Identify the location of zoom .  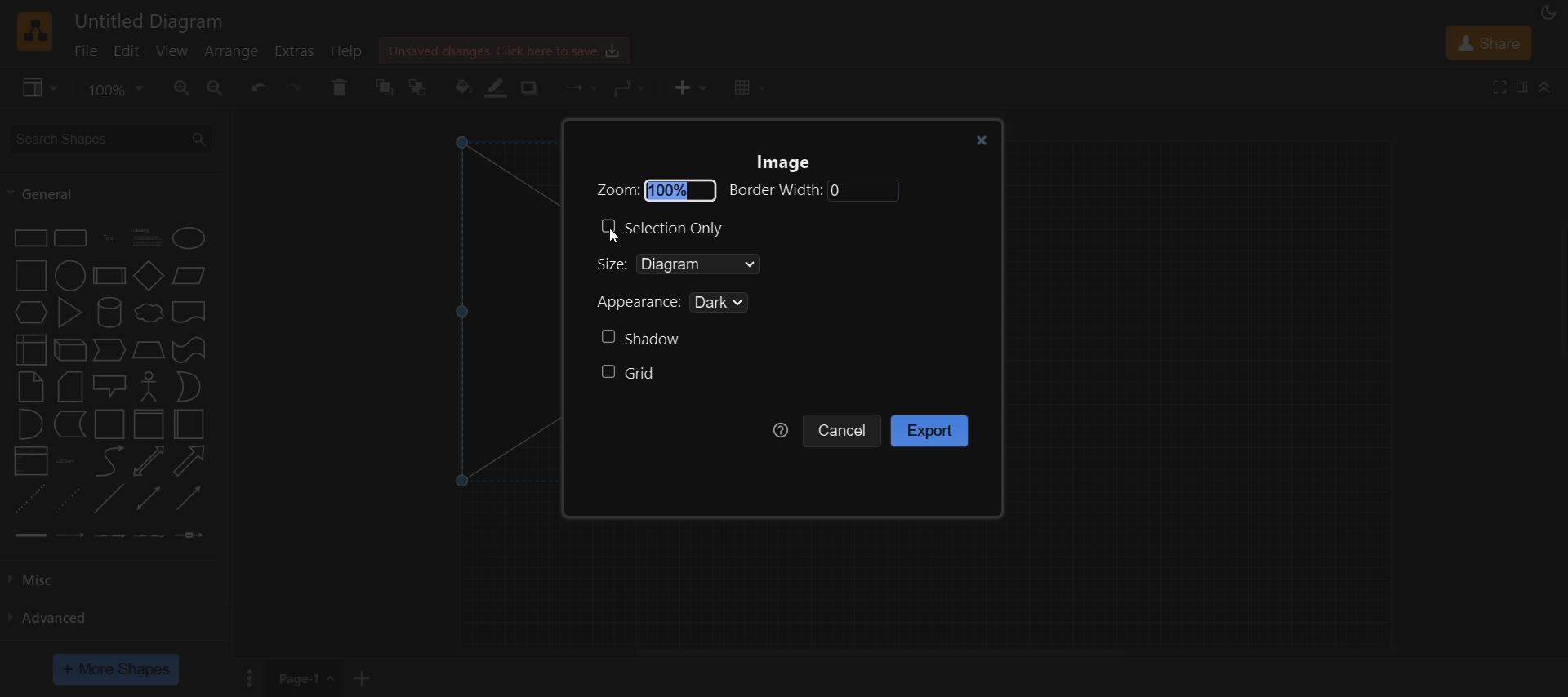
(742, 191).